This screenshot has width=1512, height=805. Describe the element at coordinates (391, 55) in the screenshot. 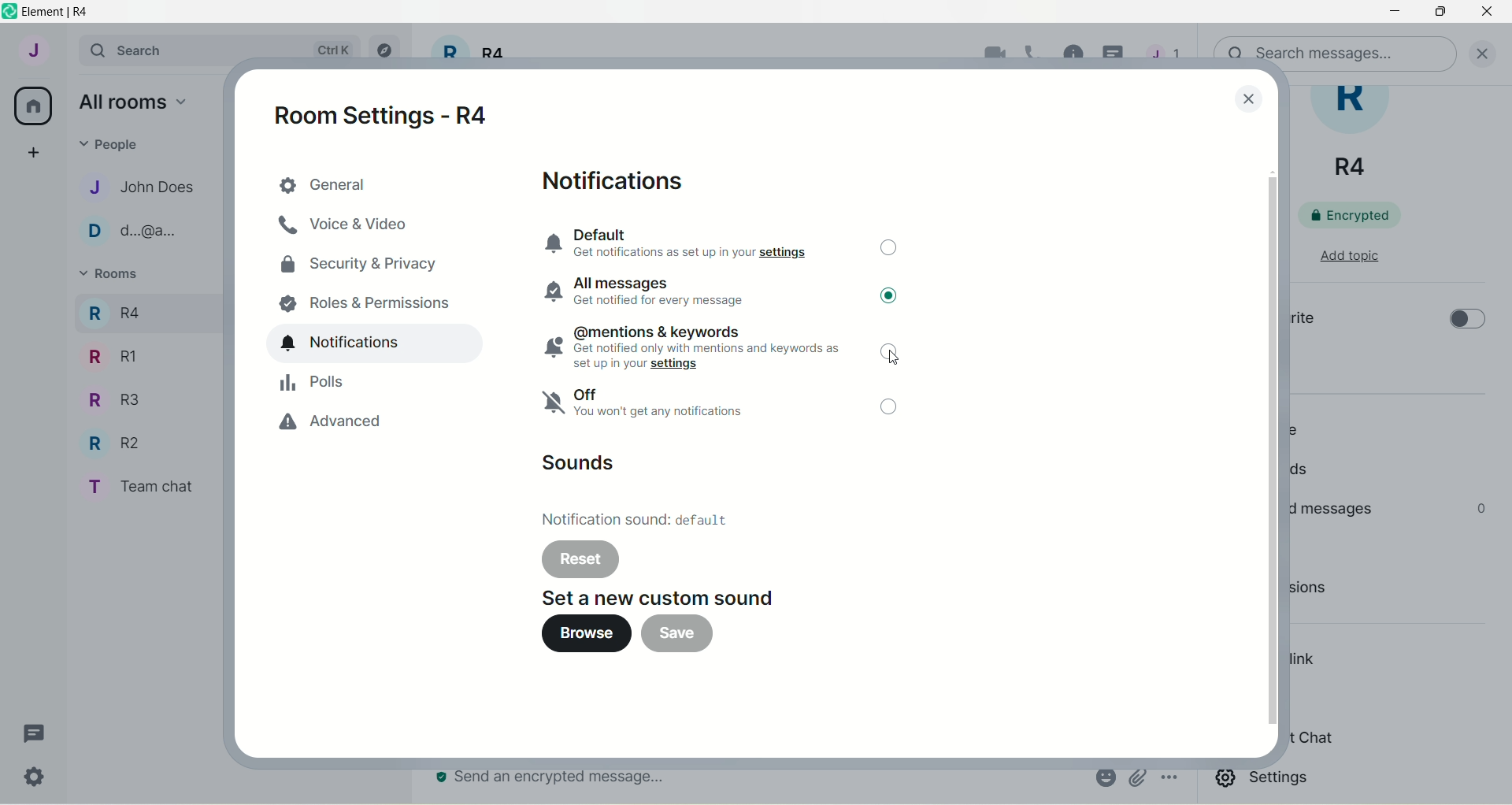

I see `explore rooms` at that location.